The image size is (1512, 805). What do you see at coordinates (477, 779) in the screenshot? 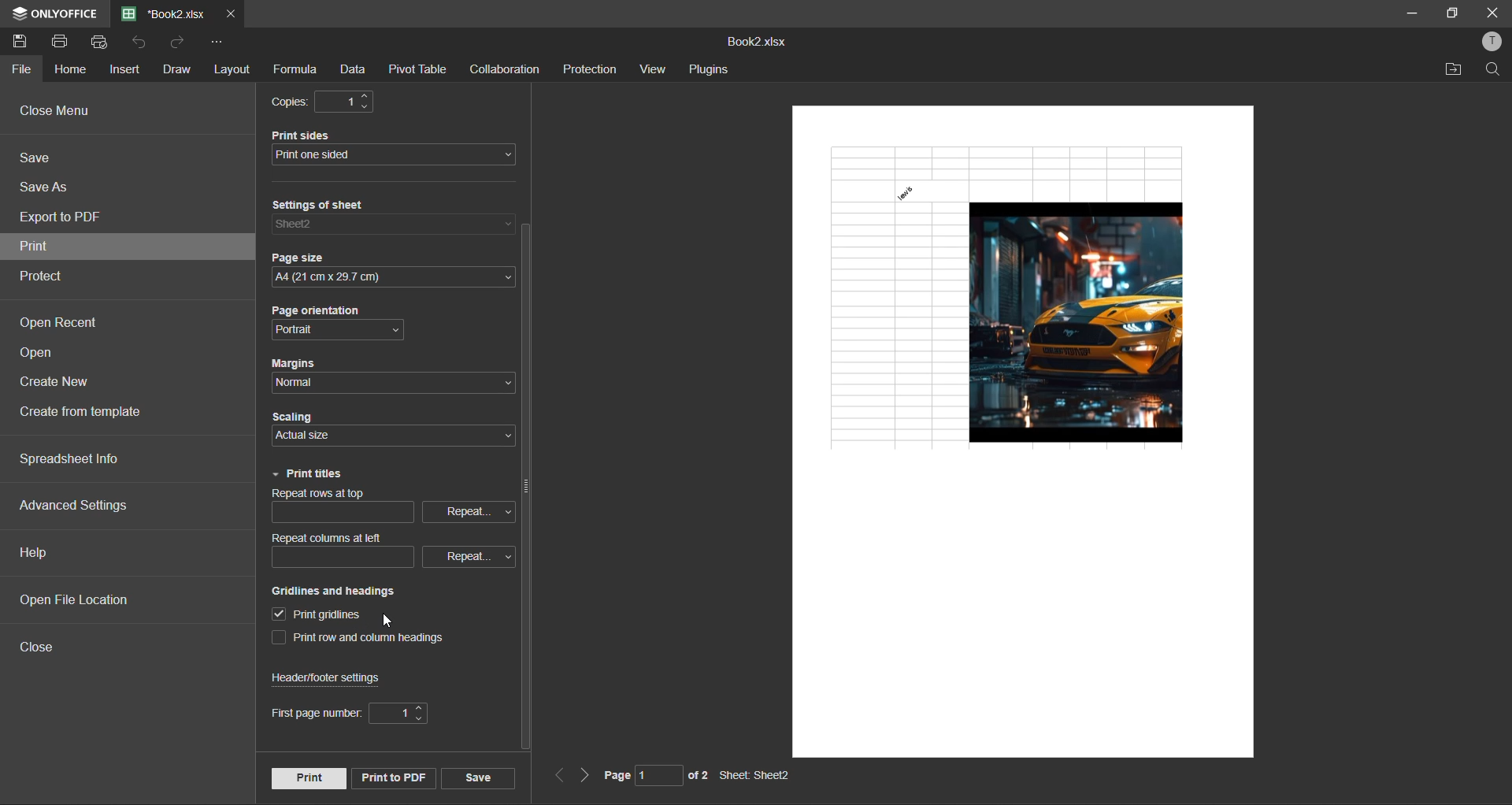
I see `save` at bounding box center [477, 779].